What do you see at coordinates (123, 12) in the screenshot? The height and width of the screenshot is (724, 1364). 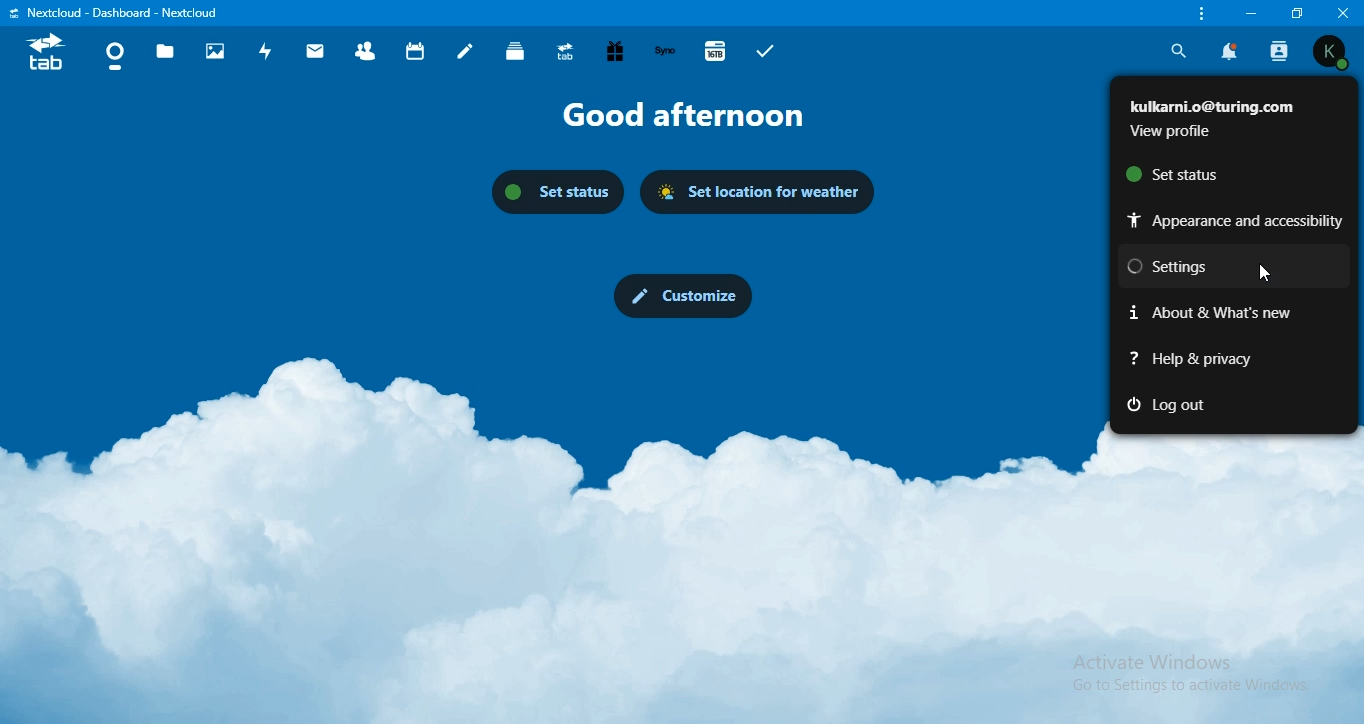 I see `text` at bounding box center [123, 12].